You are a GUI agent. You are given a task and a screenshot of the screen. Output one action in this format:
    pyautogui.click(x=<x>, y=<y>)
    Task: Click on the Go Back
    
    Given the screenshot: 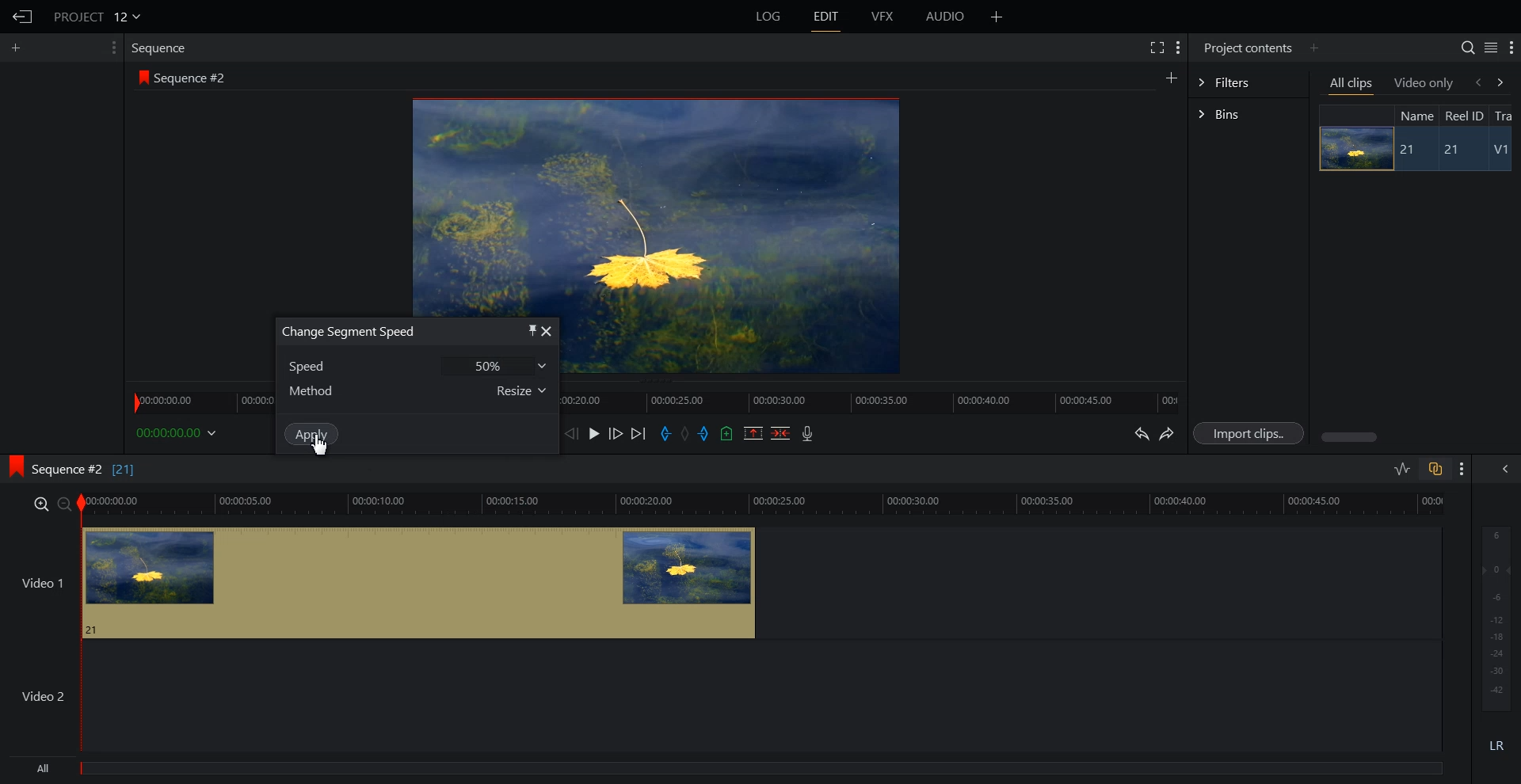 What is the action you would take?
    pyautogui.click(x=23, y=17)
    